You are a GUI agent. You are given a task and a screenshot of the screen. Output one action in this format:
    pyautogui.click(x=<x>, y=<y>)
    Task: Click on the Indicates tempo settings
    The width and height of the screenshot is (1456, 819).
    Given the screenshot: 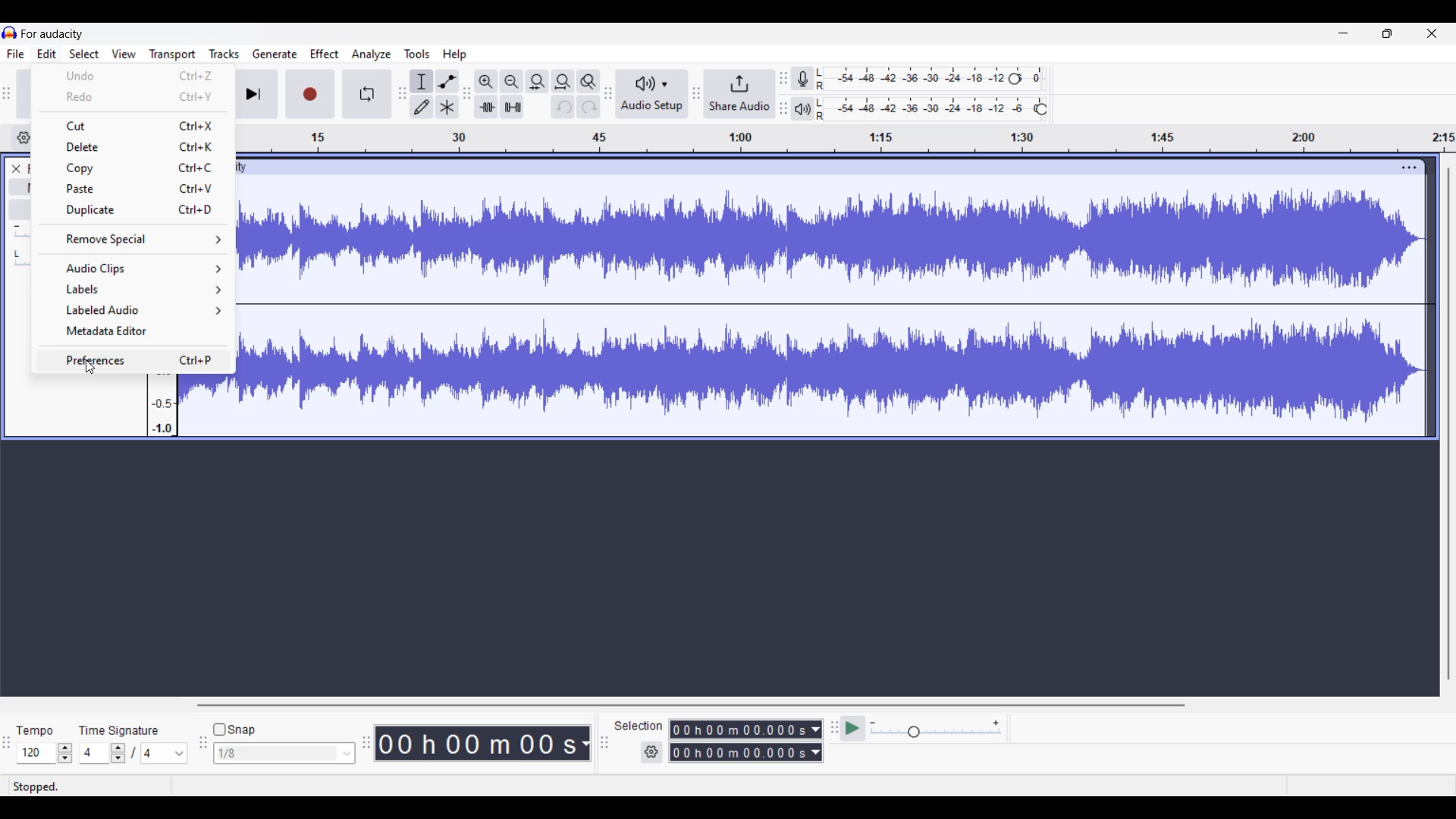 What is the action you would take?
    pyautogui.click(x=35, y=731)
    